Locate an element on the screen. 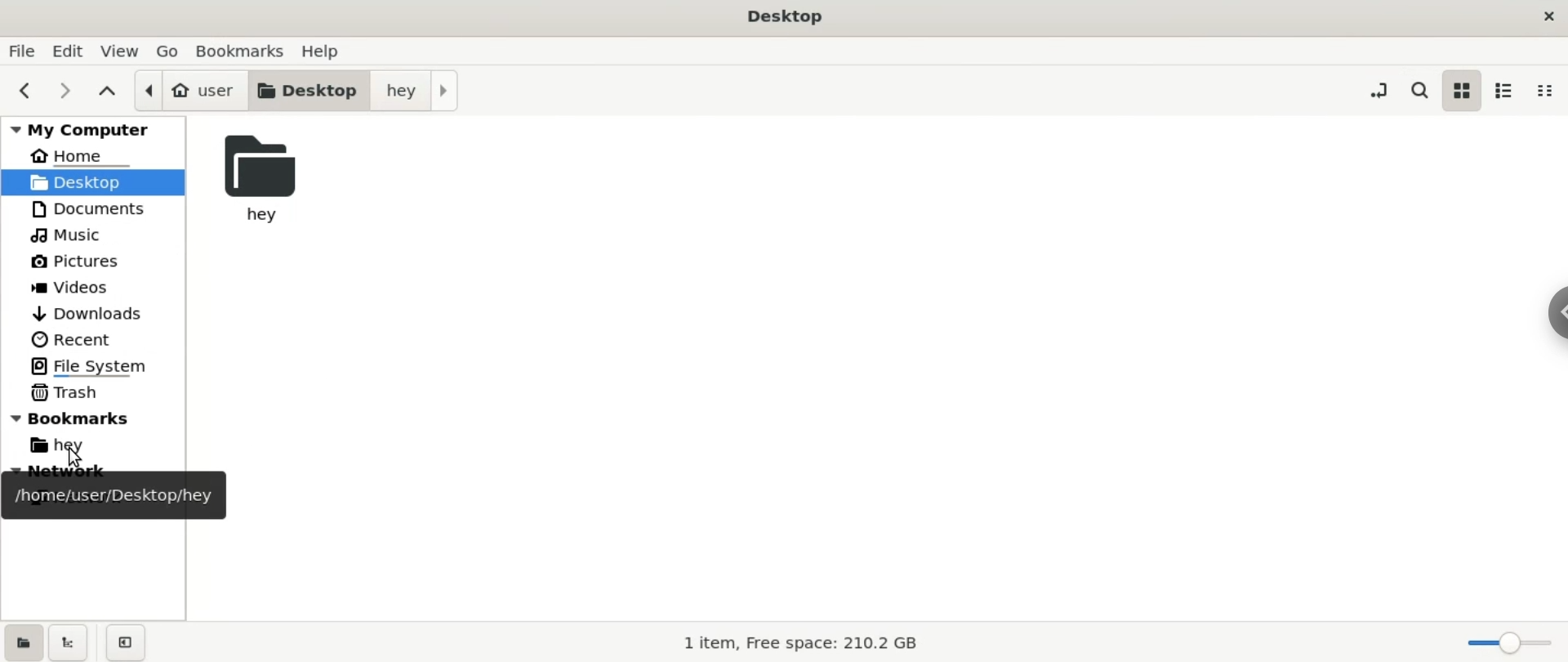 This screenshot has width=1568, height=662. search  is located at coordinates (1416, 89).